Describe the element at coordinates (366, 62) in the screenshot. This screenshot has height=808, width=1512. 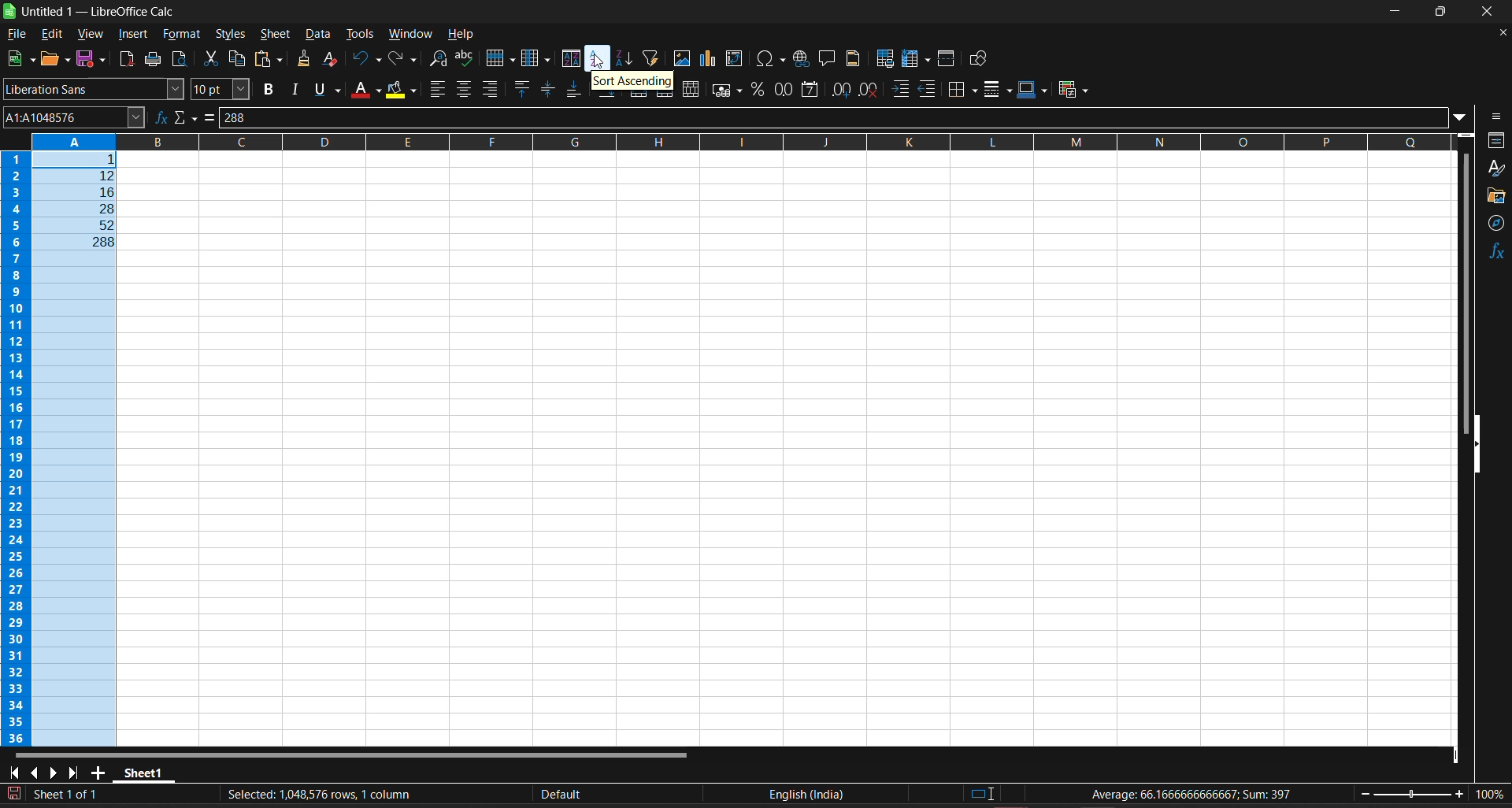
I see `undo` at that location.